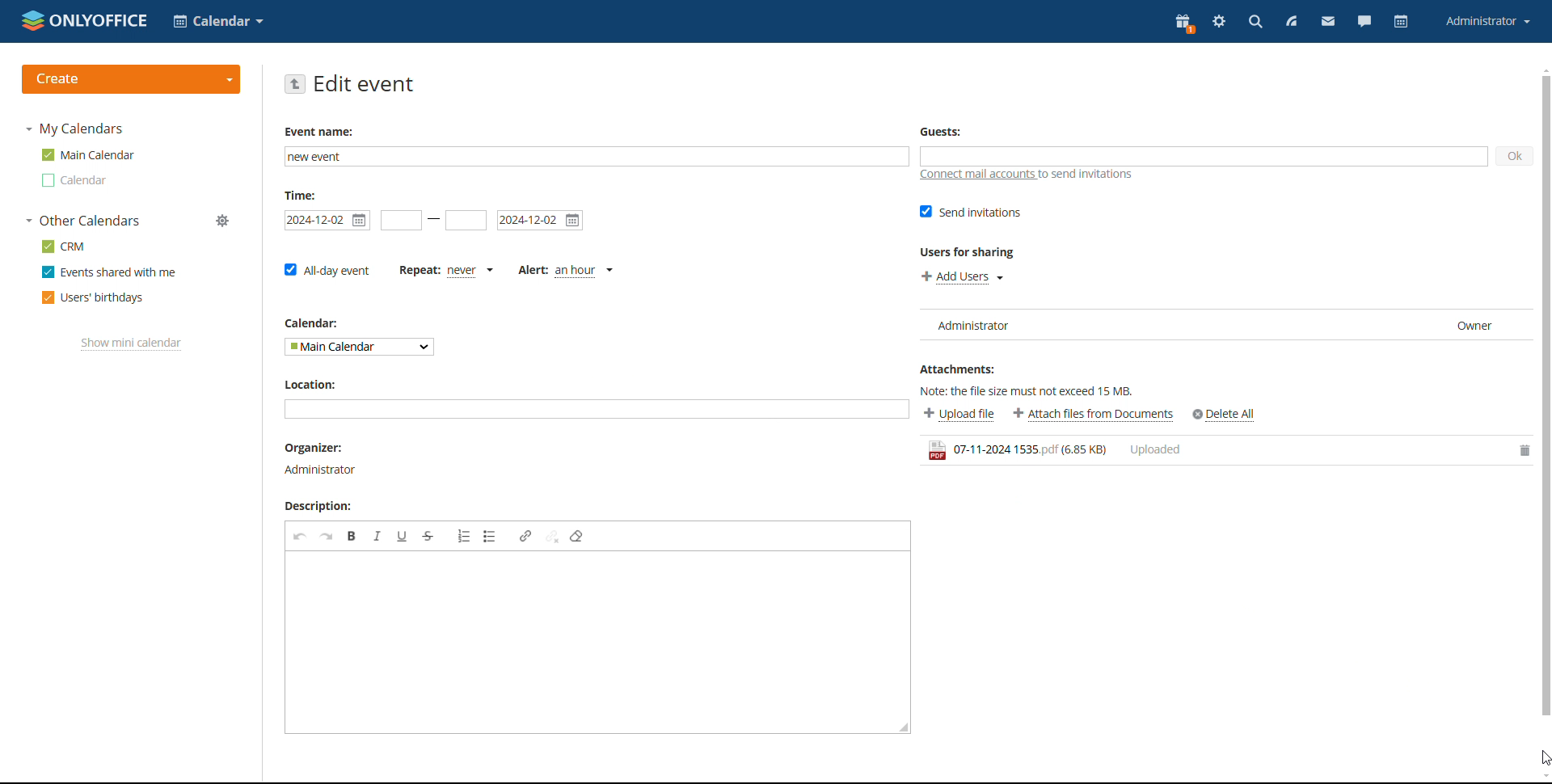 The width and height of the screenshot is (1552, 784). Describe the element at coordinates (61, 246) in the screenshot. I see `crm` at that location.